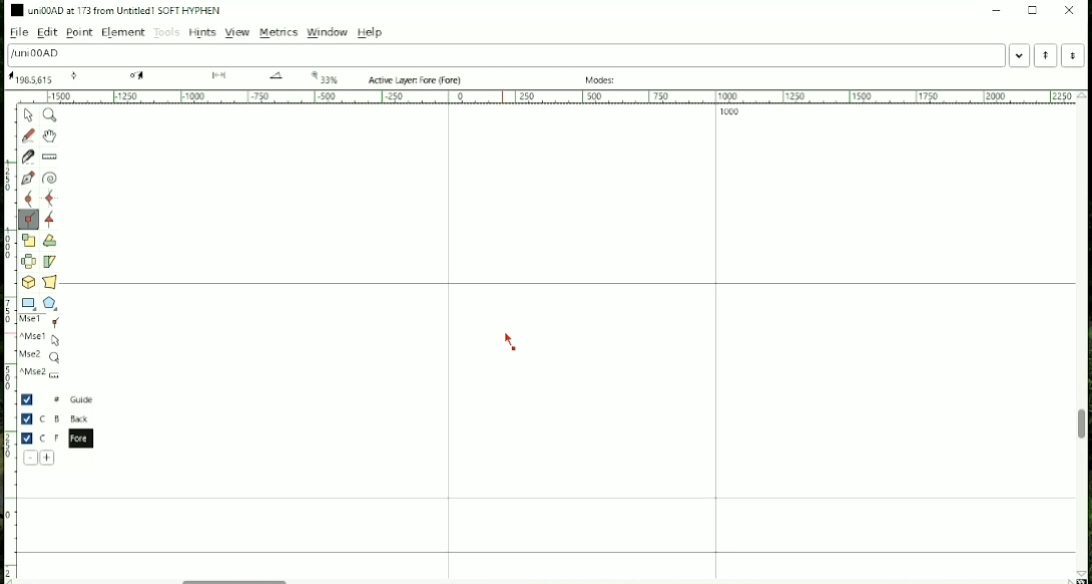 The height and width of the screenshot is (584, 1092). What do you see at coordinates (138, 76) in the screenshot?
I see `173 Oxad U+00AD "uni00AD" SOFT HYPHEN` at bounding box center [138, 76].